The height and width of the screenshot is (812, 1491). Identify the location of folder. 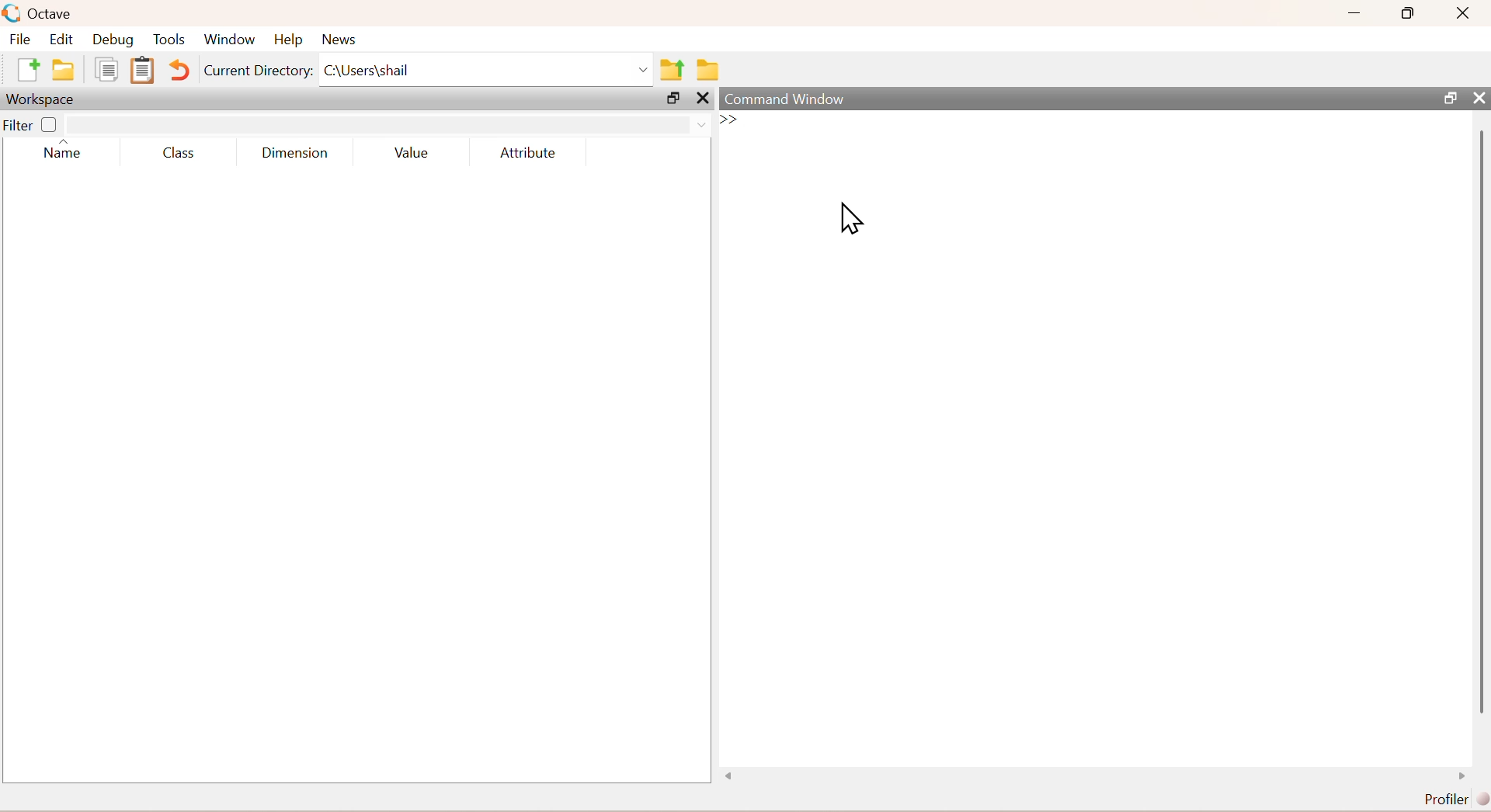
(710, 70).